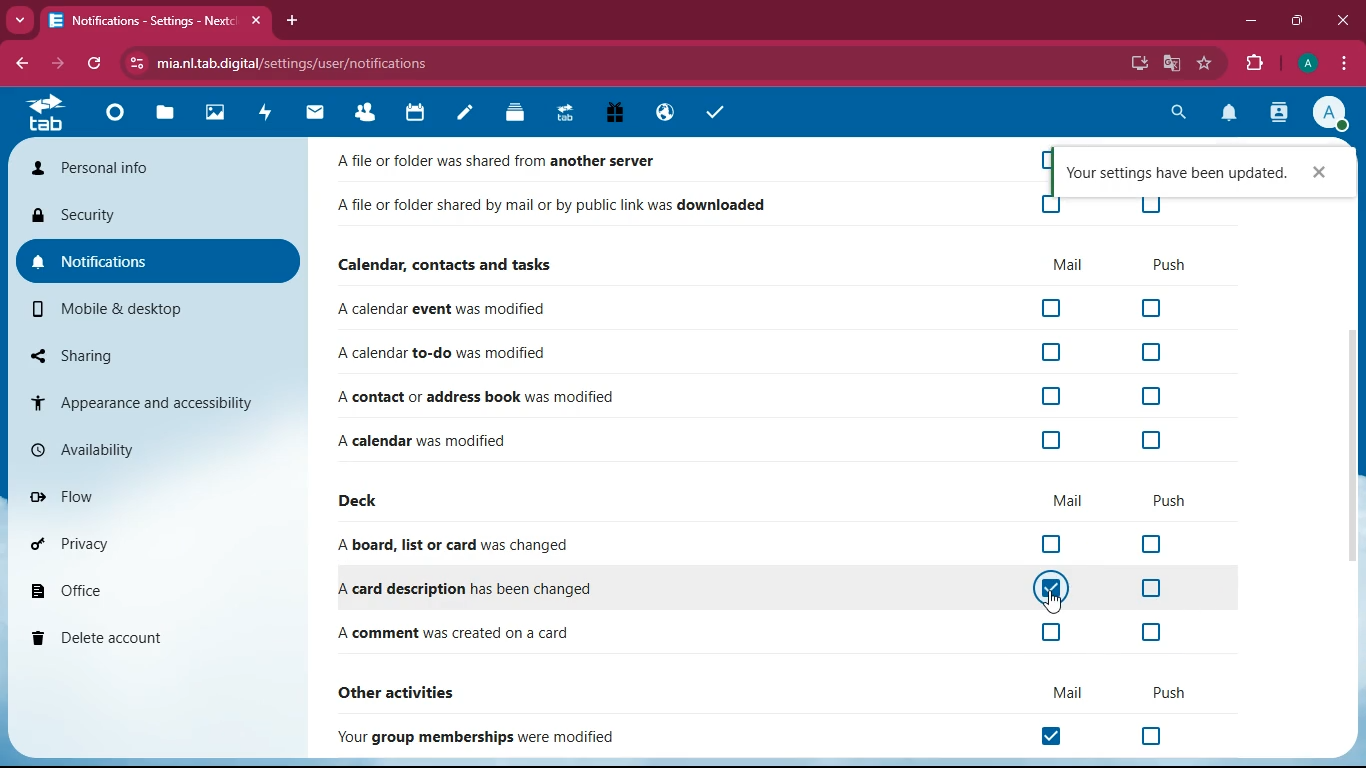 Image resolution: width=1366 pixels, height=768 pixels. I want to click on off, so click(1049, 440).